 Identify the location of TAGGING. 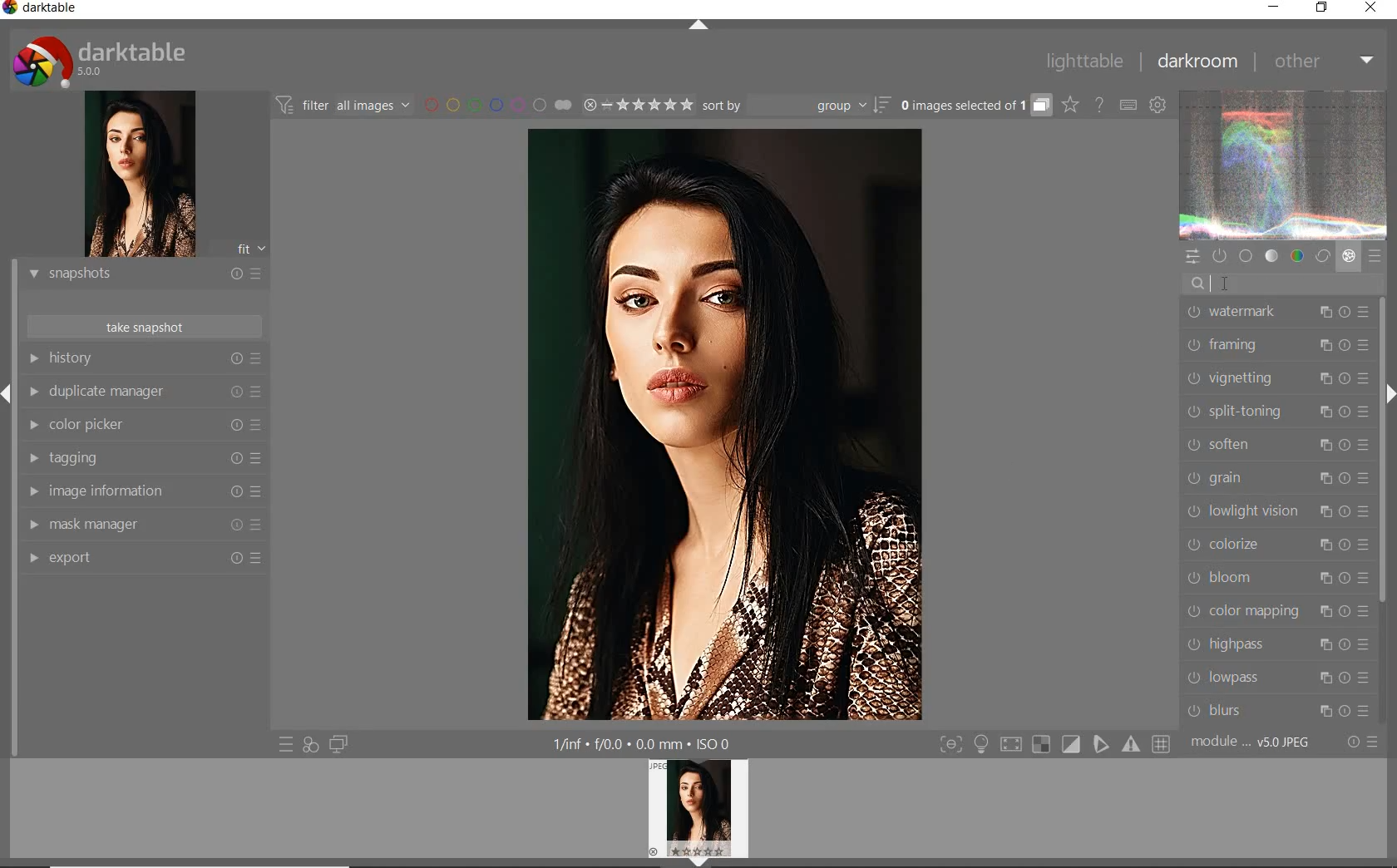
(141, 459).